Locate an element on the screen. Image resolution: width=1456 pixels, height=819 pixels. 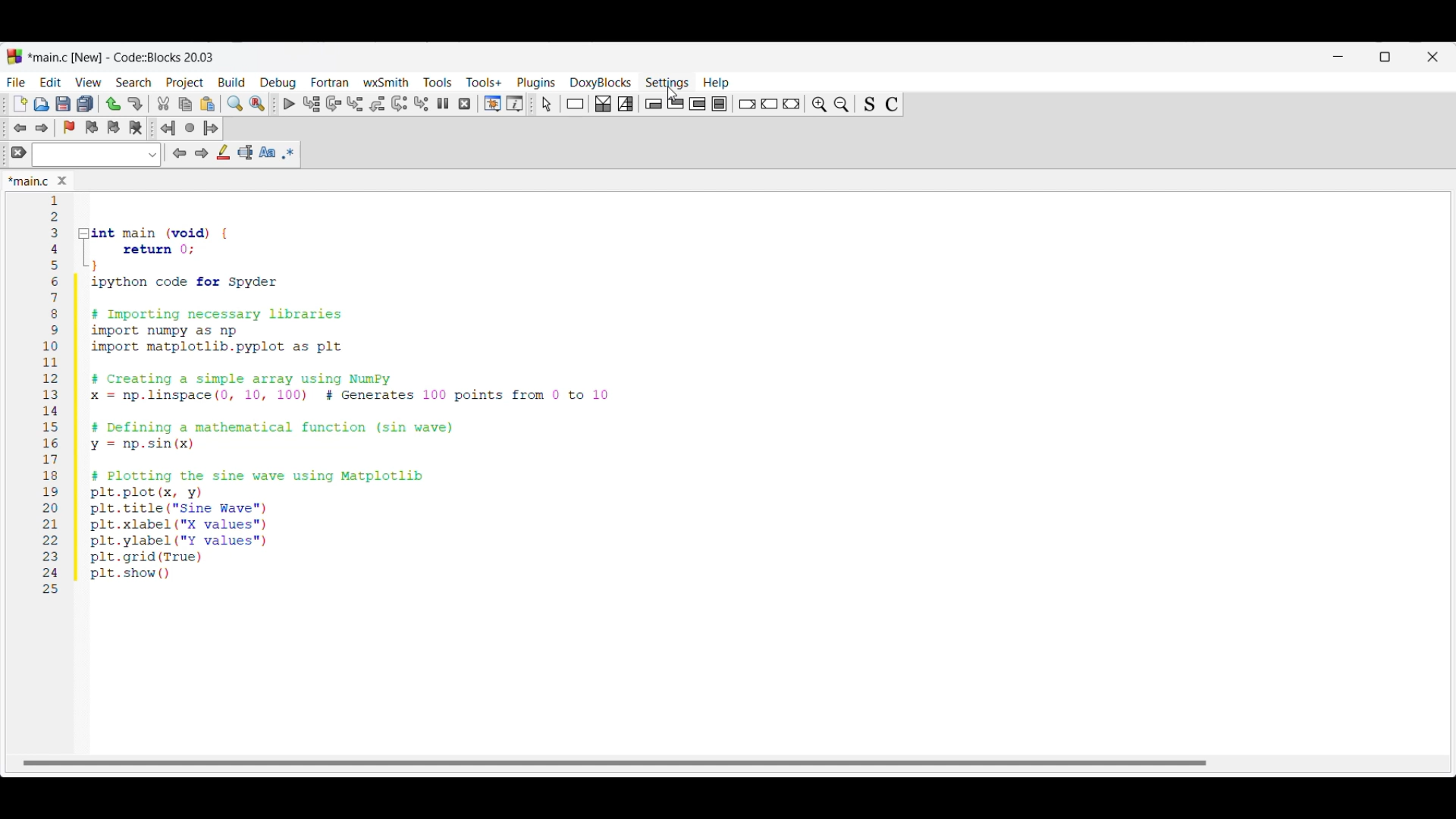
Save is located at coordinates (63, 104).